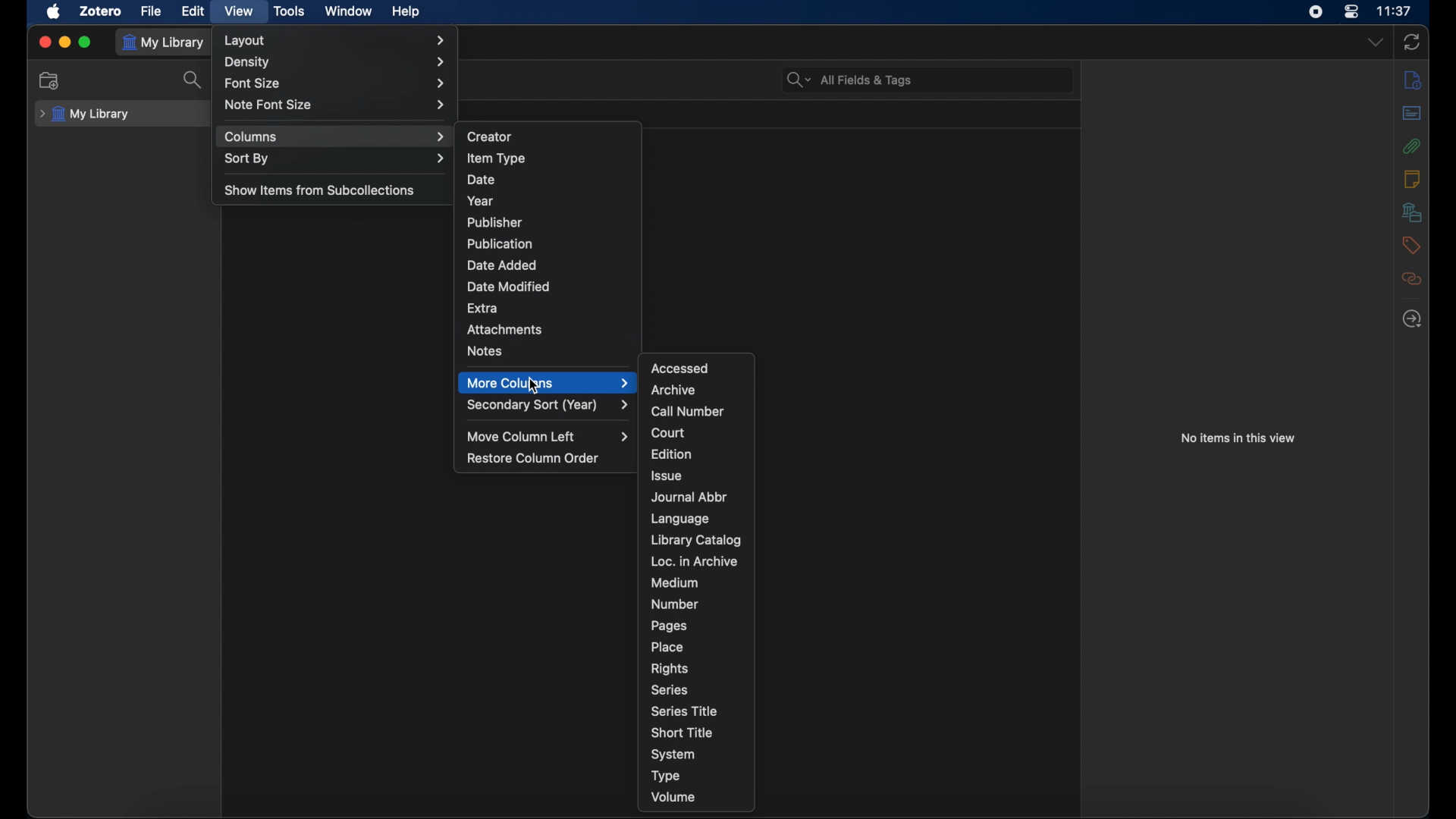 Image resolution: width=1456 pixels, height=819 pixels. What do you see at coordinates (164, 42) in the screenshot?
I see `my library` at bounding box center [164, 42].